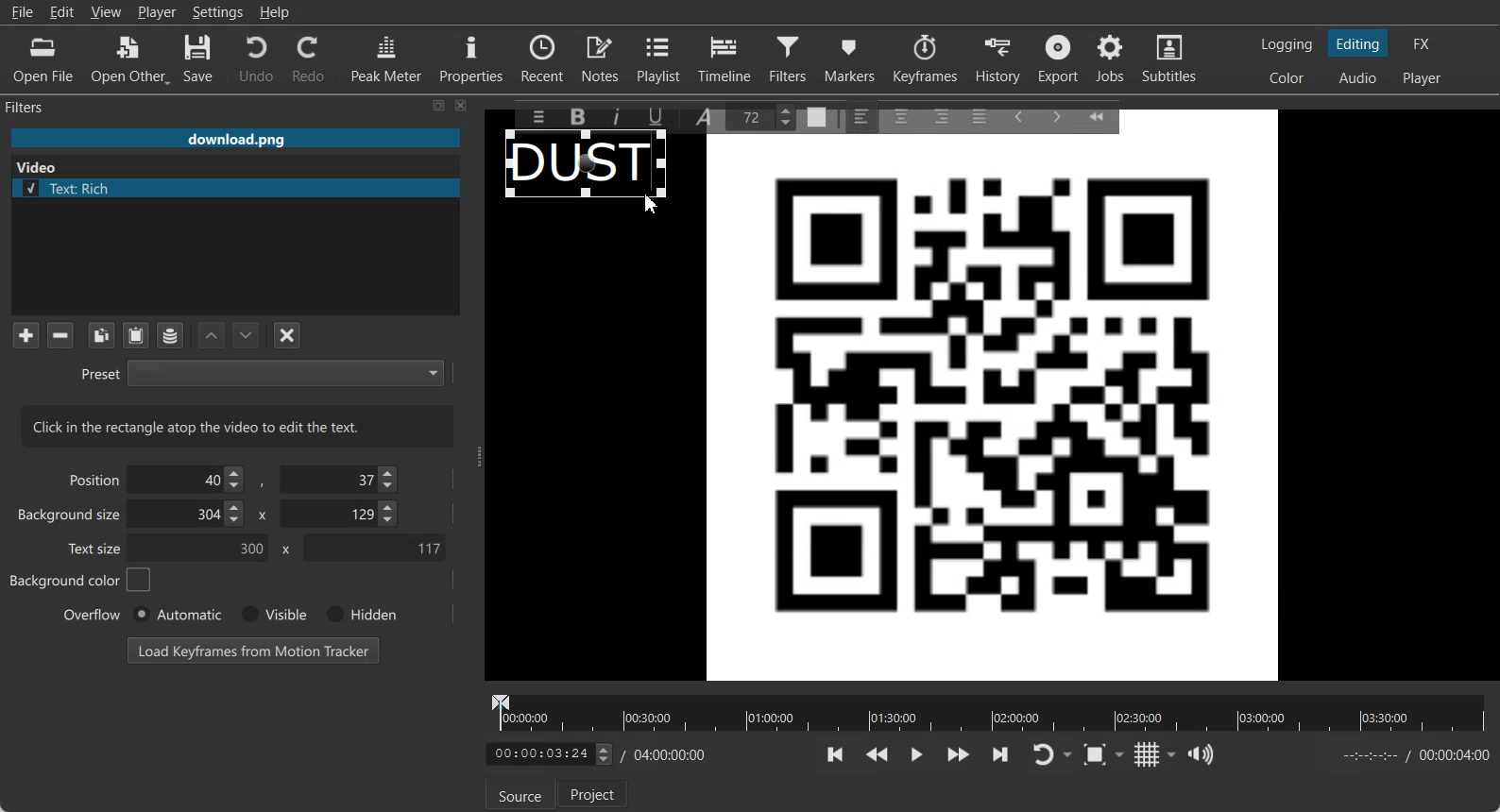  Describe the element at coordinates (204, 550) in the screenshot. I see `Text size X- Co-ordinate` at that location.